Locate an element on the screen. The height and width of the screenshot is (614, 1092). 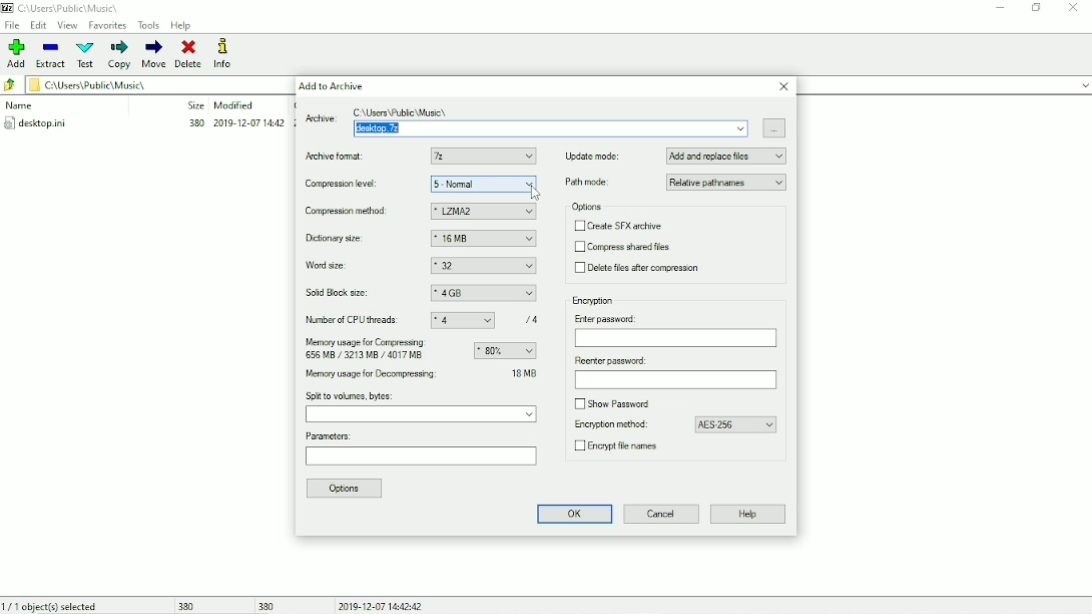
Add and replace files is located at coordinates (727, 156).